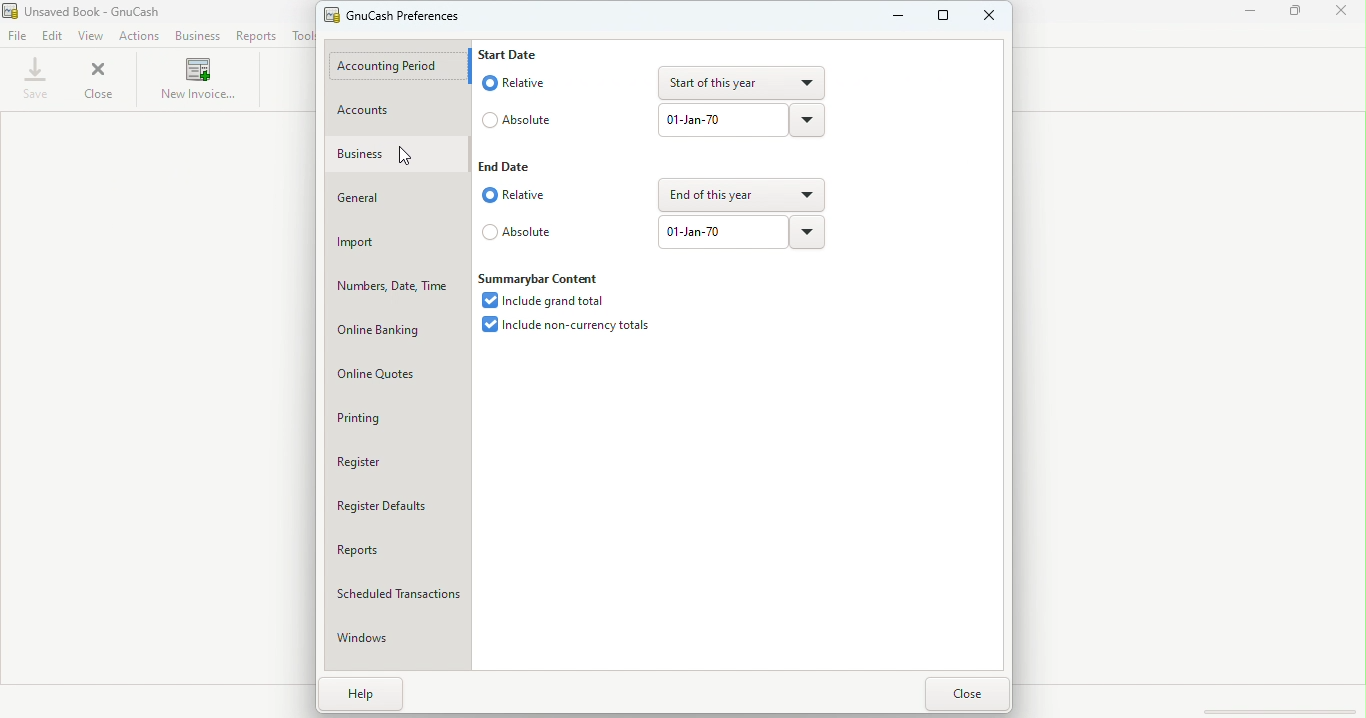  Describe the element at coordinates (811, 233) in the screenshot. I see `Drop down` at that location.